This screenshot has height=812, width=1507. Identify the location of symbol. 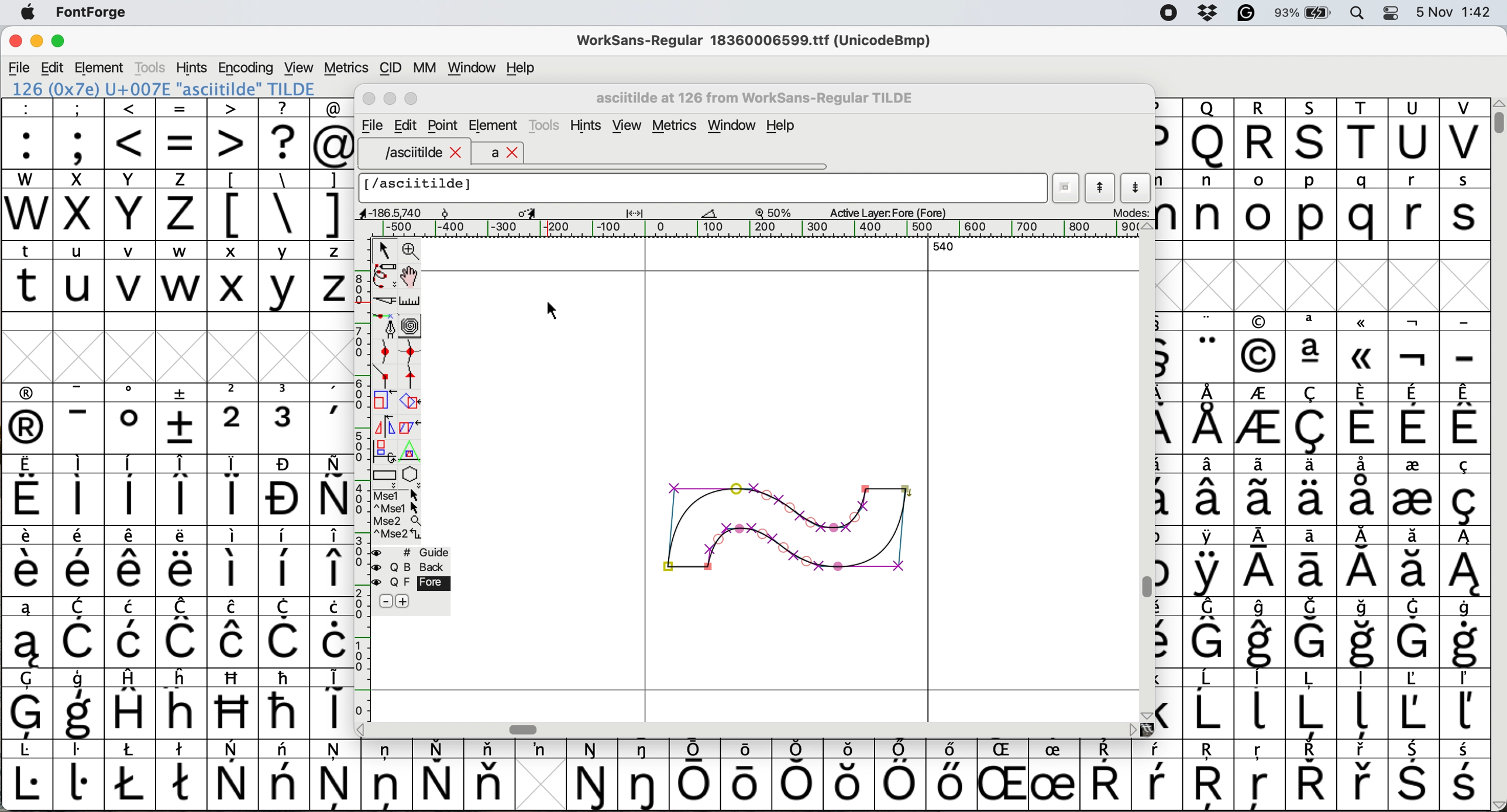
(80, 562).